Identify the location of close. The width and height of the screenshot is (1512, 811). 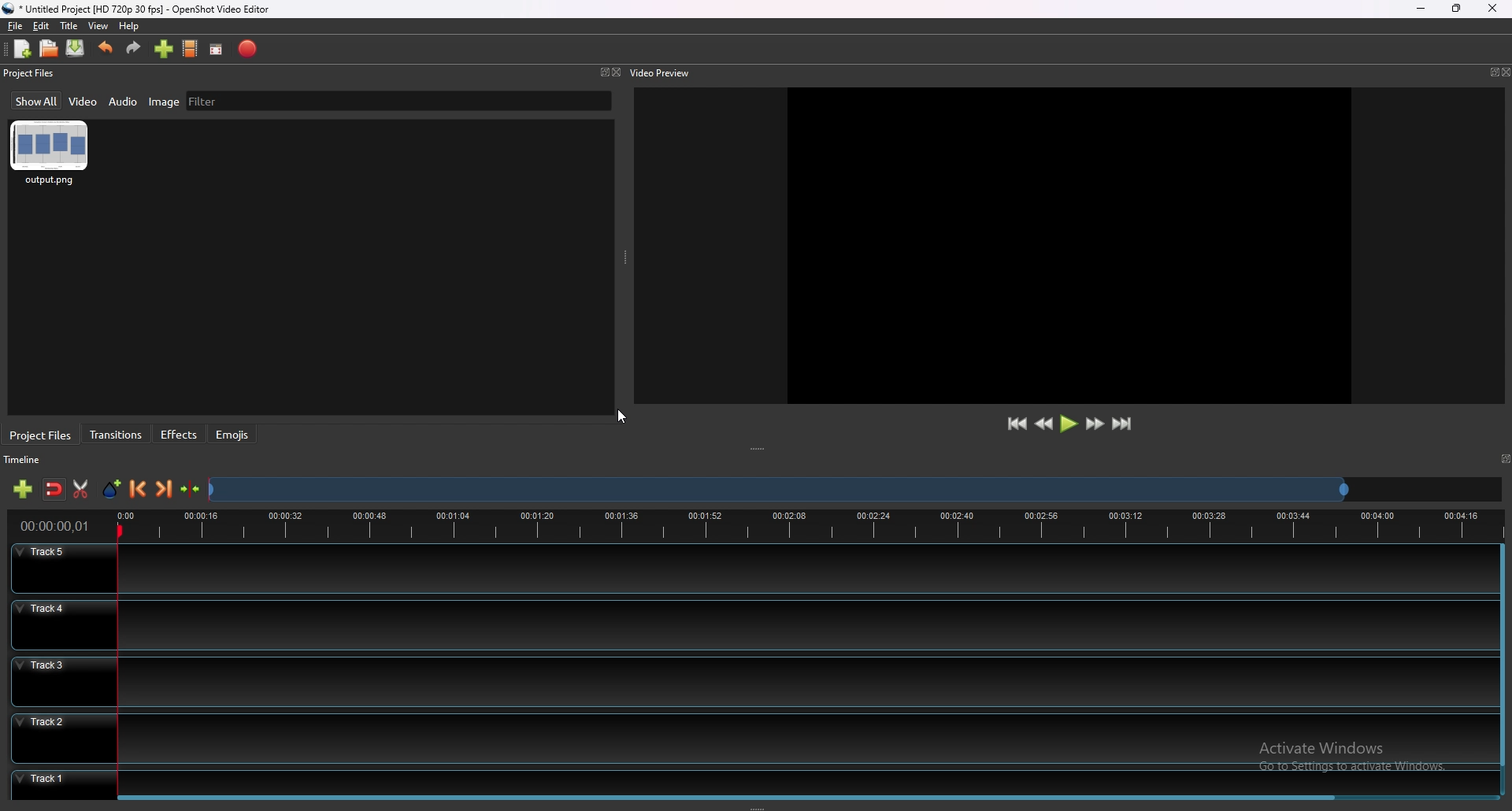
(1506, 72).